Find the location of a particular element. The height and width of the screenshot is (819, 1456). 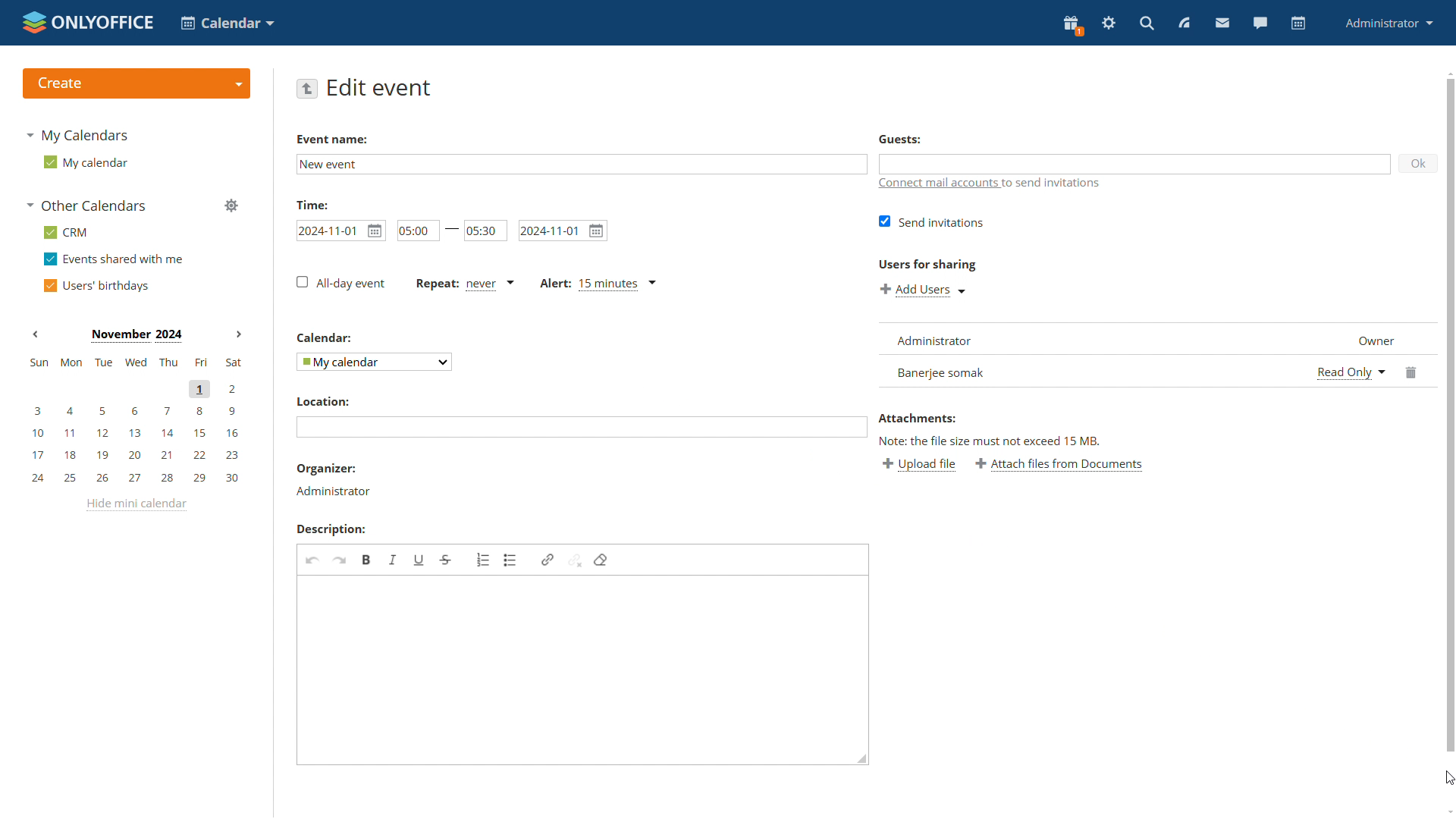

manage is located at coordinates (231, 206).